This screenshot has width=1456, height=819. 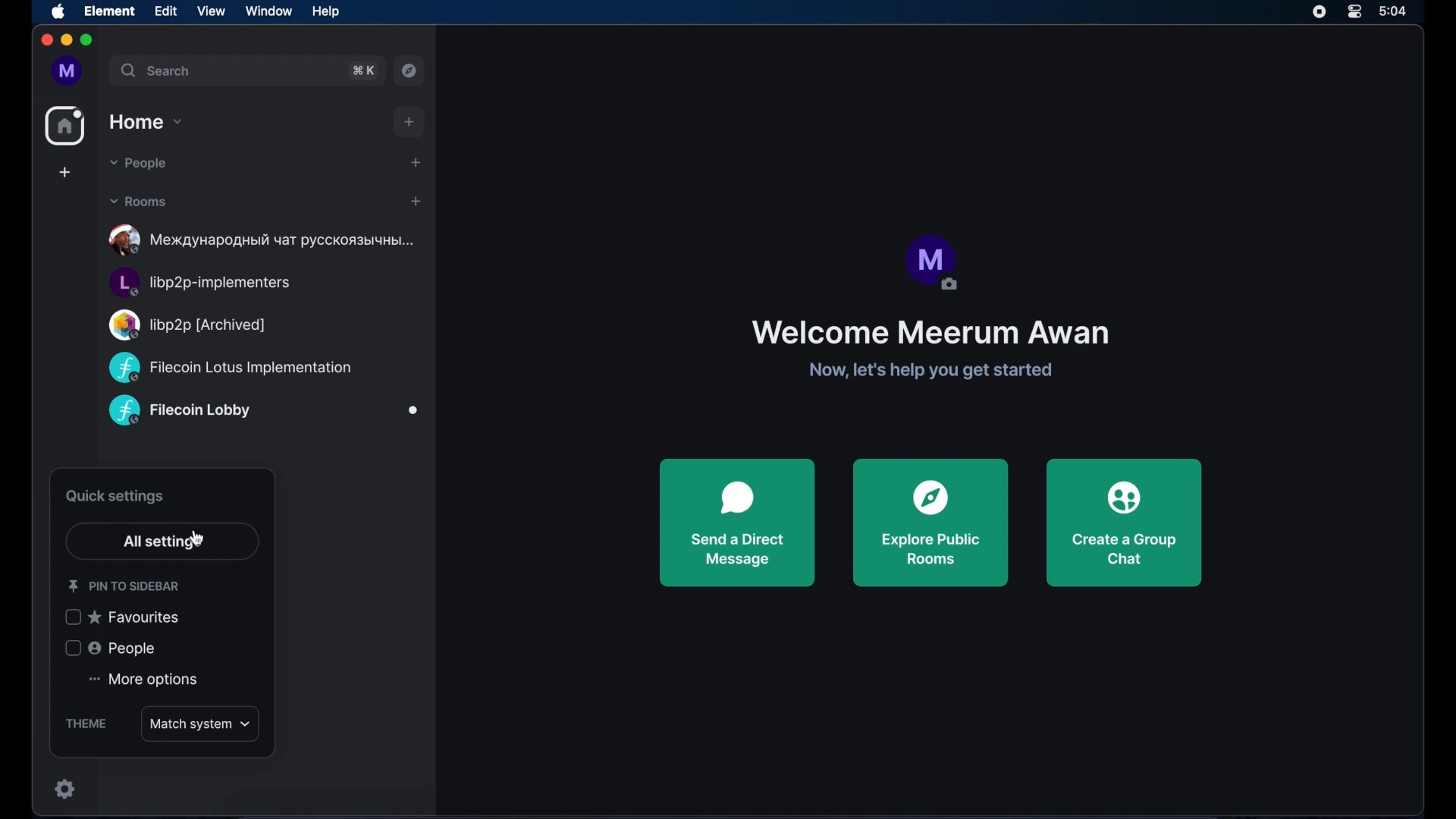 I want to click on screen recorder icon, so click(x=1319, y=12).